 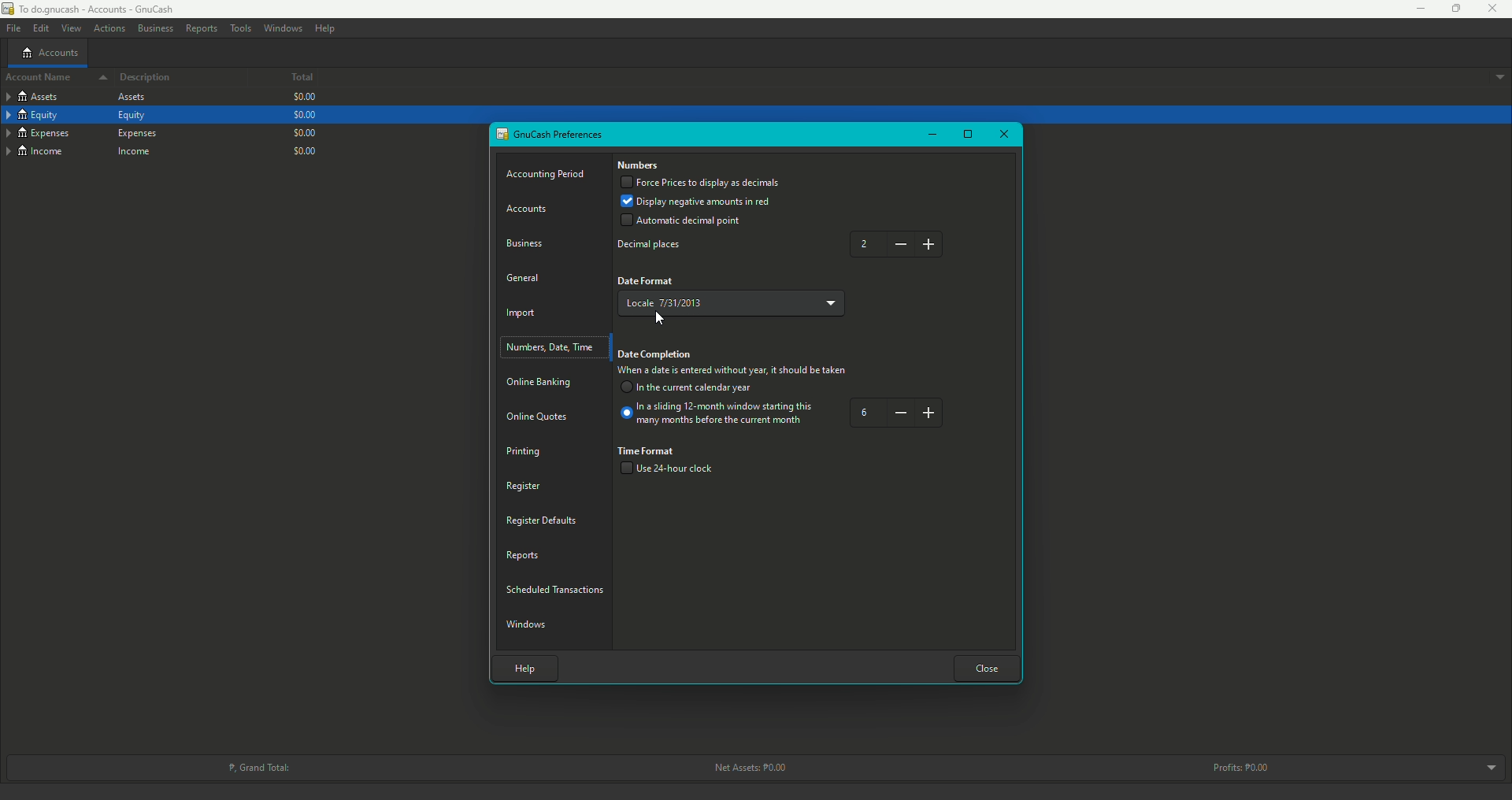 I want to click on Close, so click(x=988, y=667).